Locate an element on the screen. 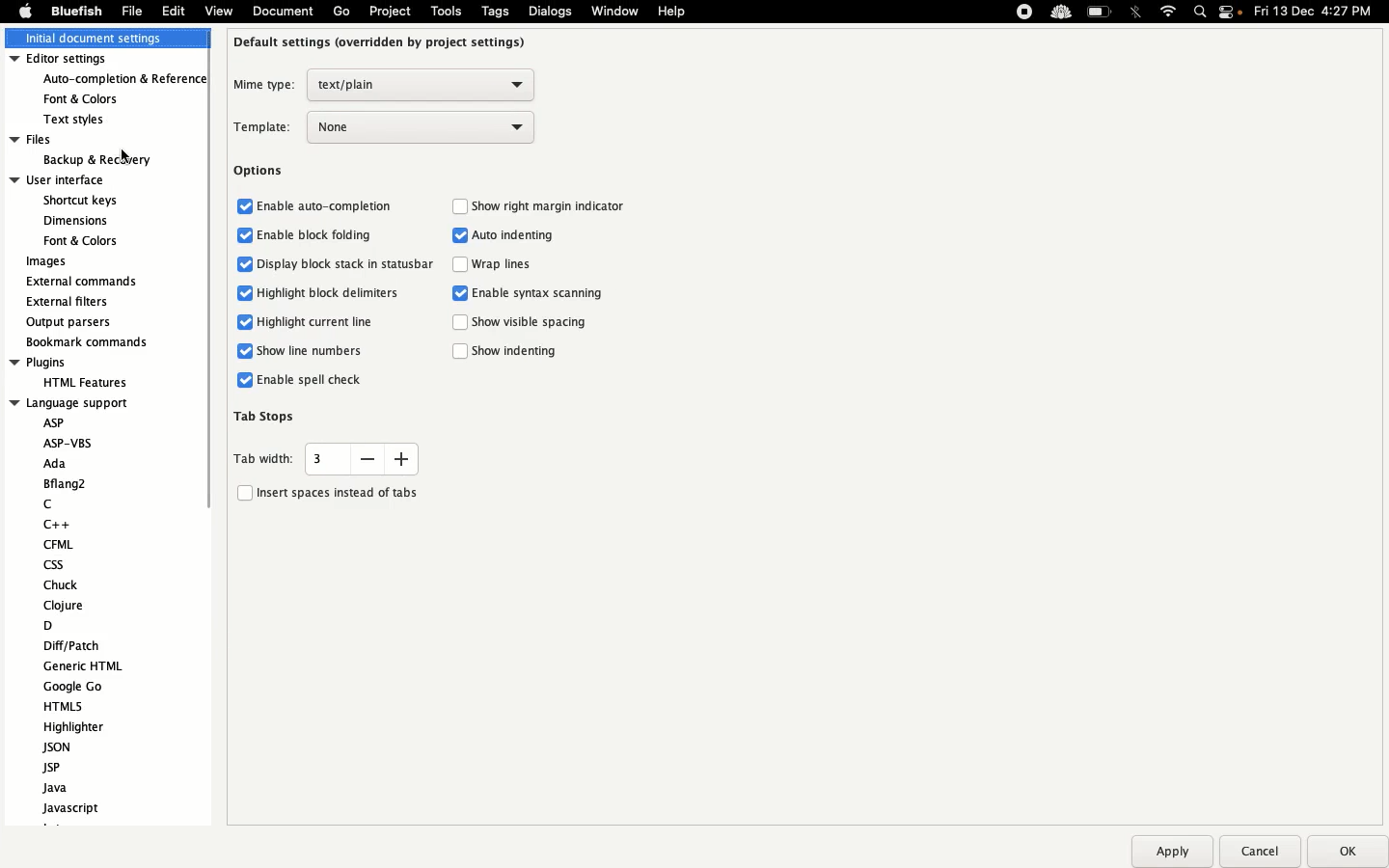 Image resolution: width=1389 pixels, height=868 pixels. Show indenting is located at coordinates (511, 353).